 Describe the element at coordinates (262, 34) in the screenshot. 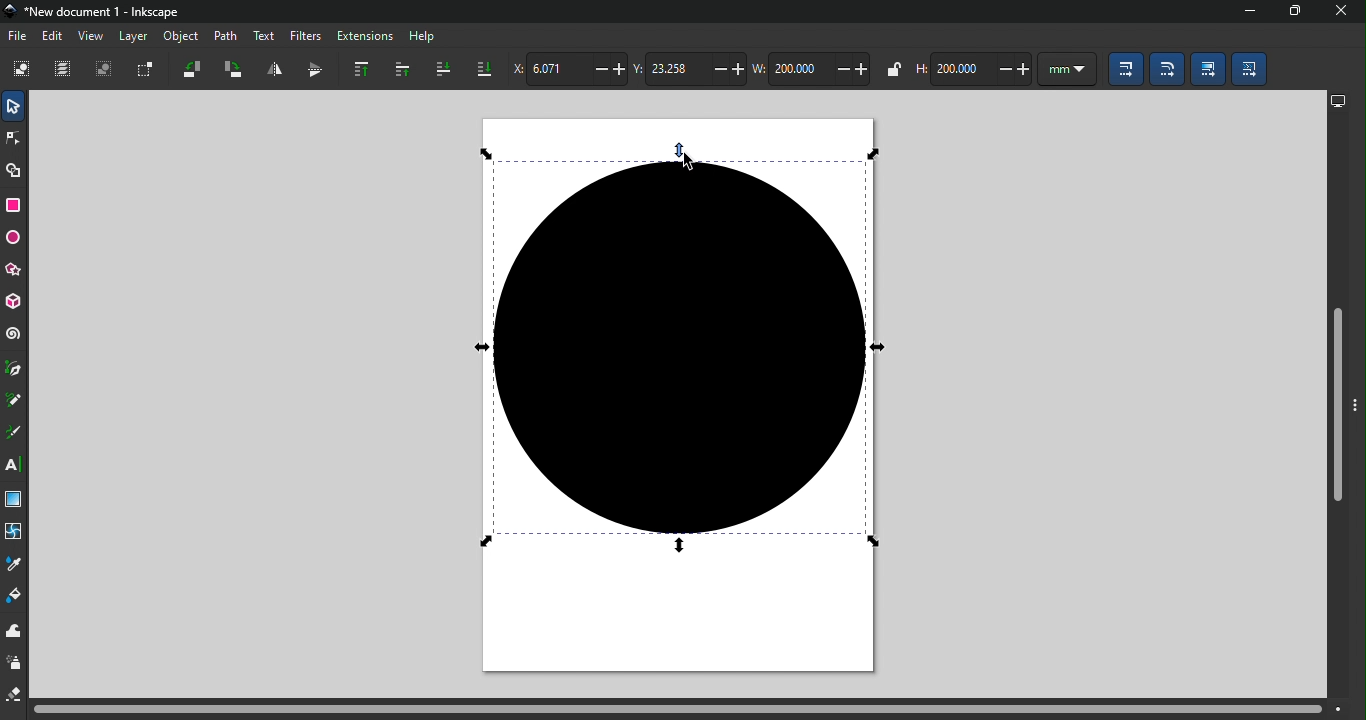

I see `Text` at that location.